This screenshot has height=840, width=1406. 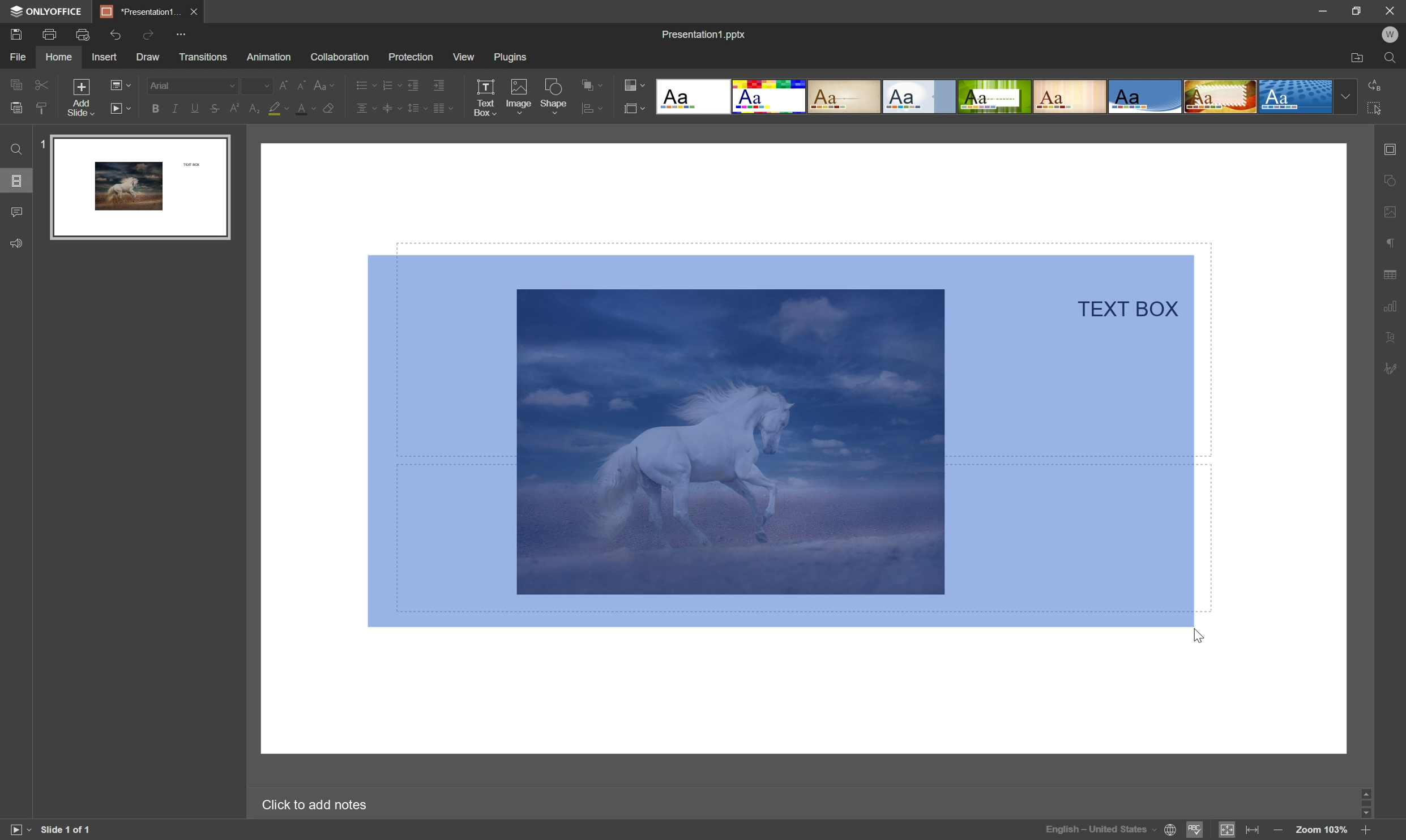 What do you see at coordinates (16, 33) in the screenshot?
I see `save` at bounding box center [16, 33].